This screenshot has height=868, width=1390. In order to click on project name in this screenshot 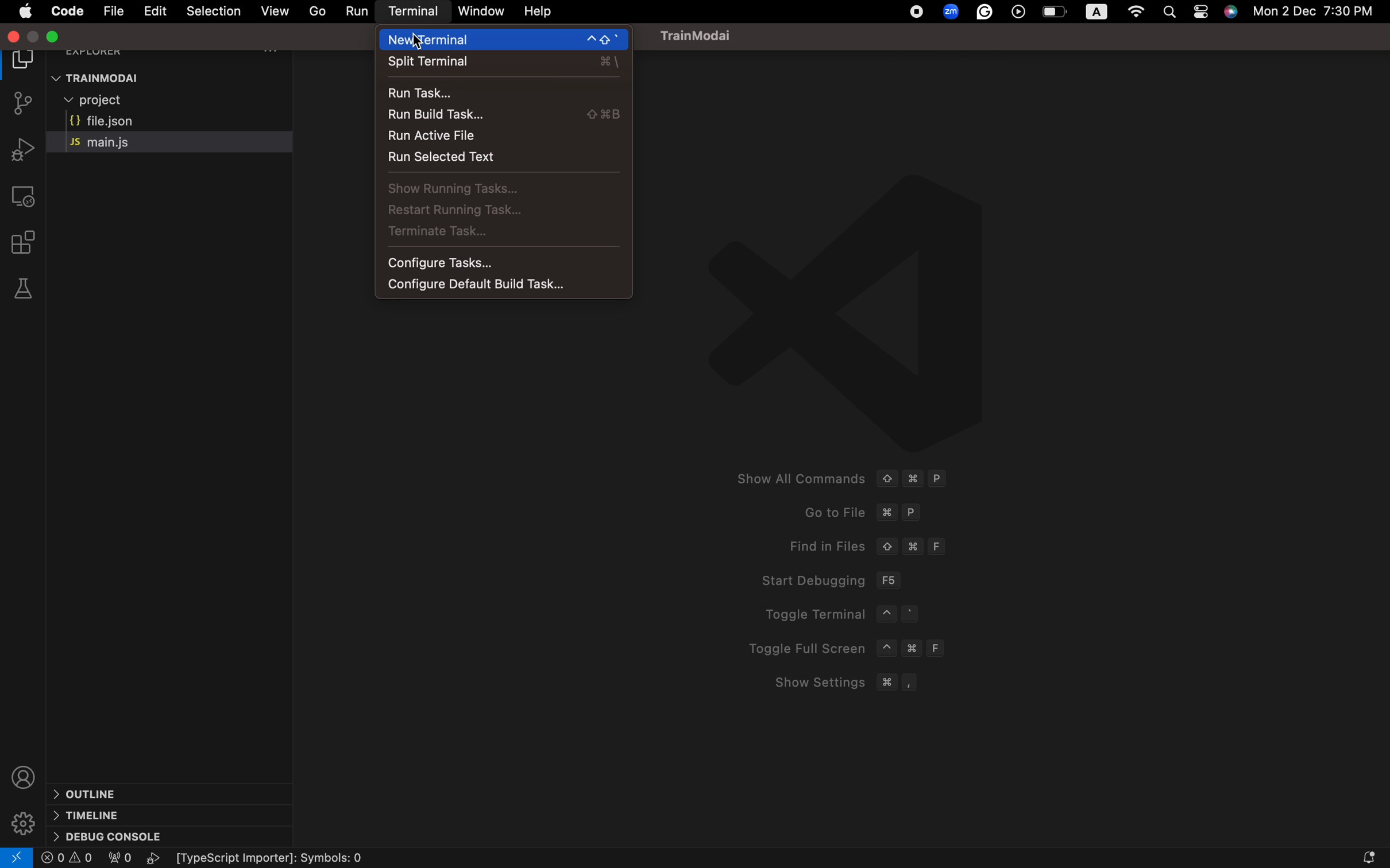, I will do `click(705, 35)`.